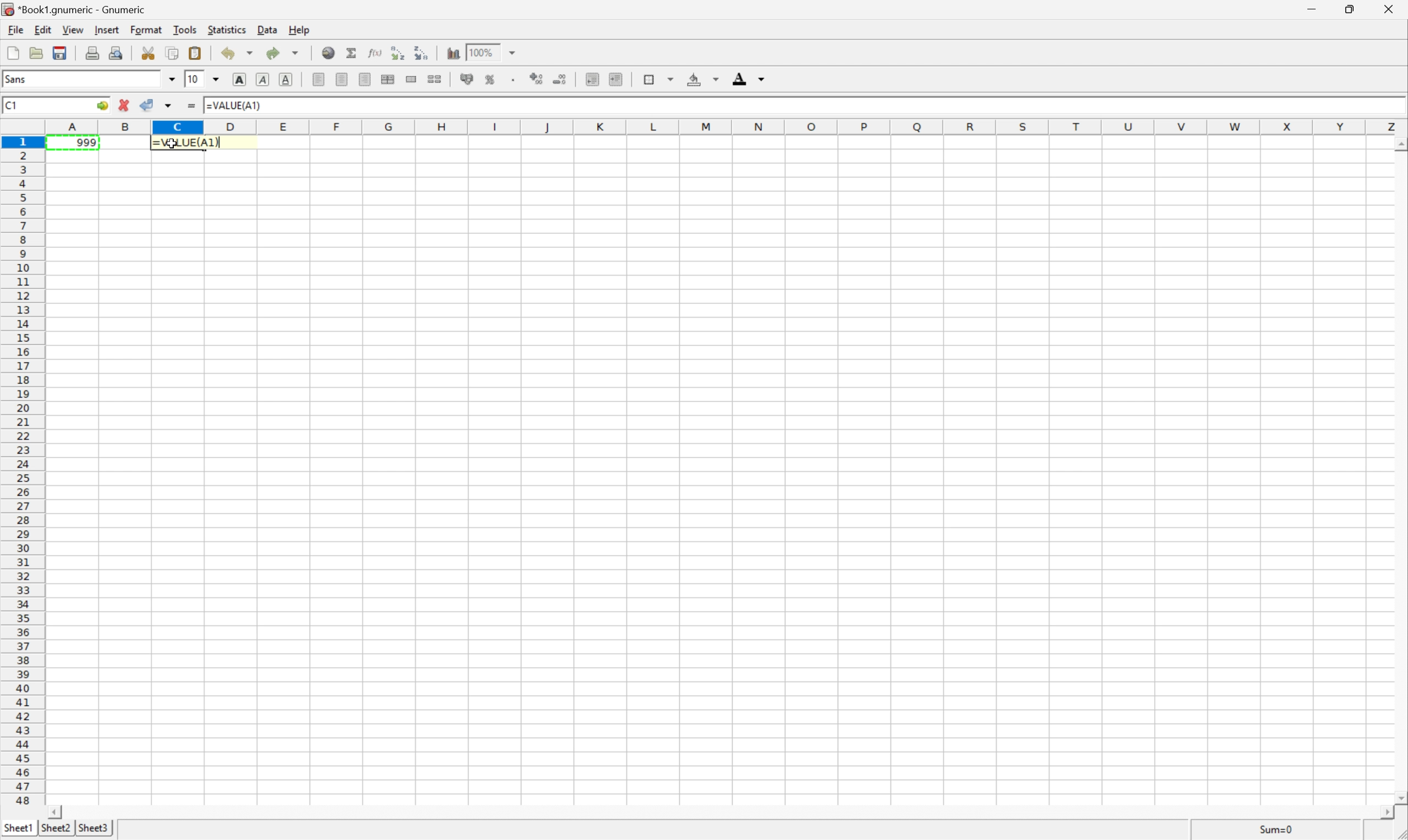 The image size is (1408, 840). What do you see at coordinates (185, 144) in the screenshot?
I see `=VALUE(A1)` at bounding box center [185, 144].